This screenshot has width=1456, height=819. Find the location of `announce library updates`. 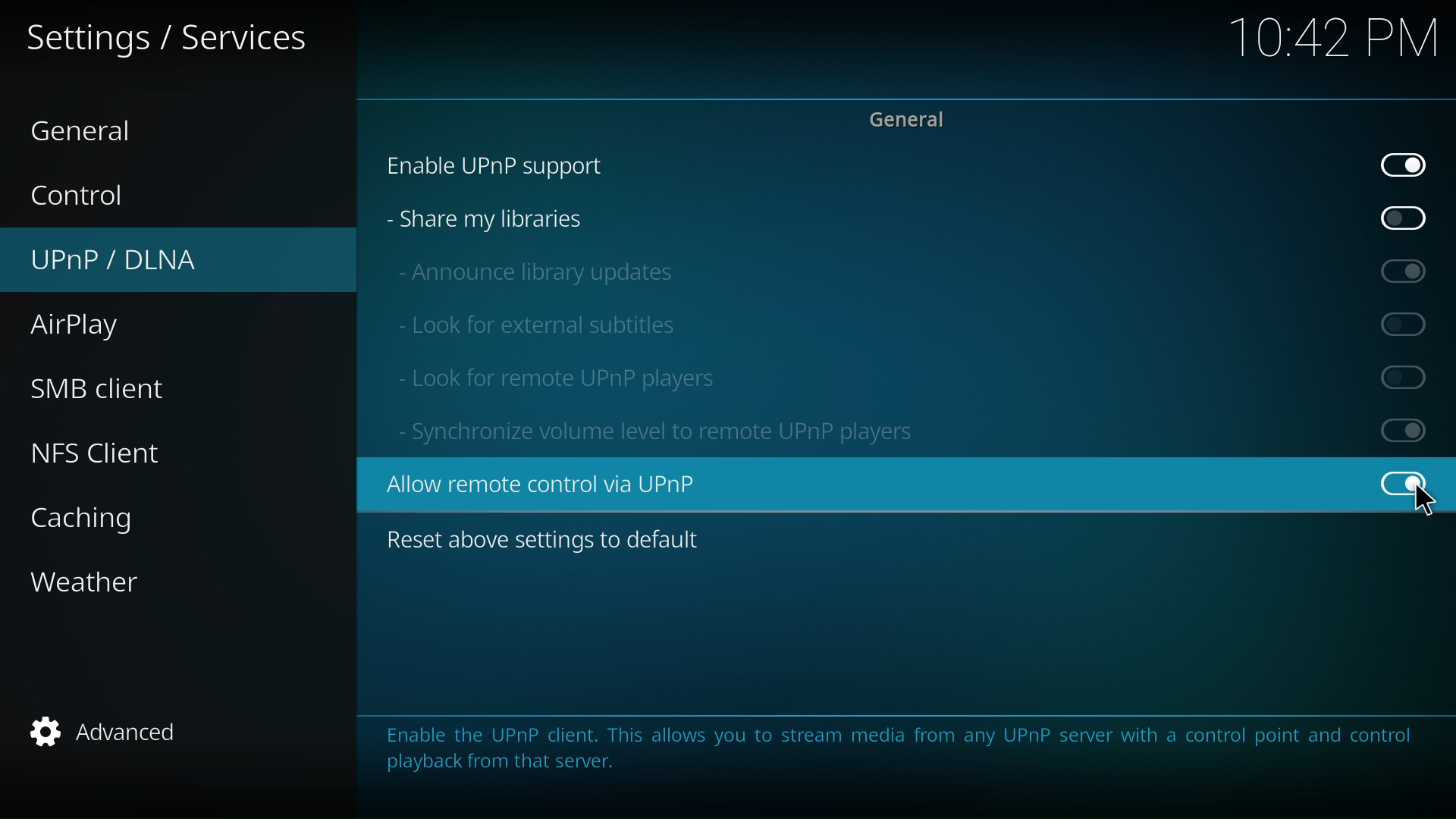

announce library updates is located at coordinates (915, 268).